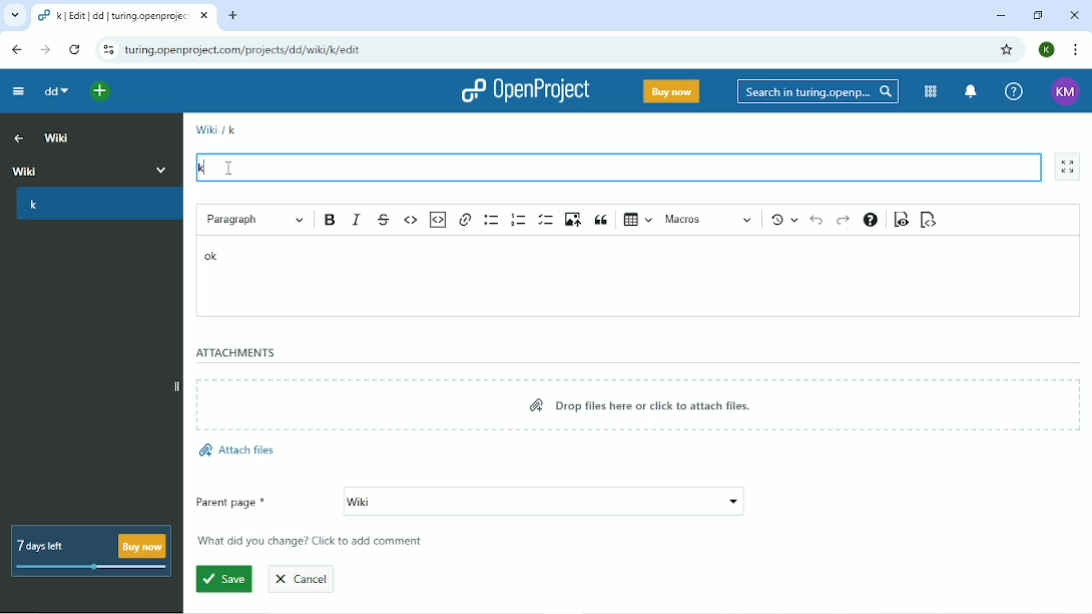 The image size is (1092, 614). Describe the element at coordinates (101, 90) in the screenshot. I see `Open quick add menu` at that location.